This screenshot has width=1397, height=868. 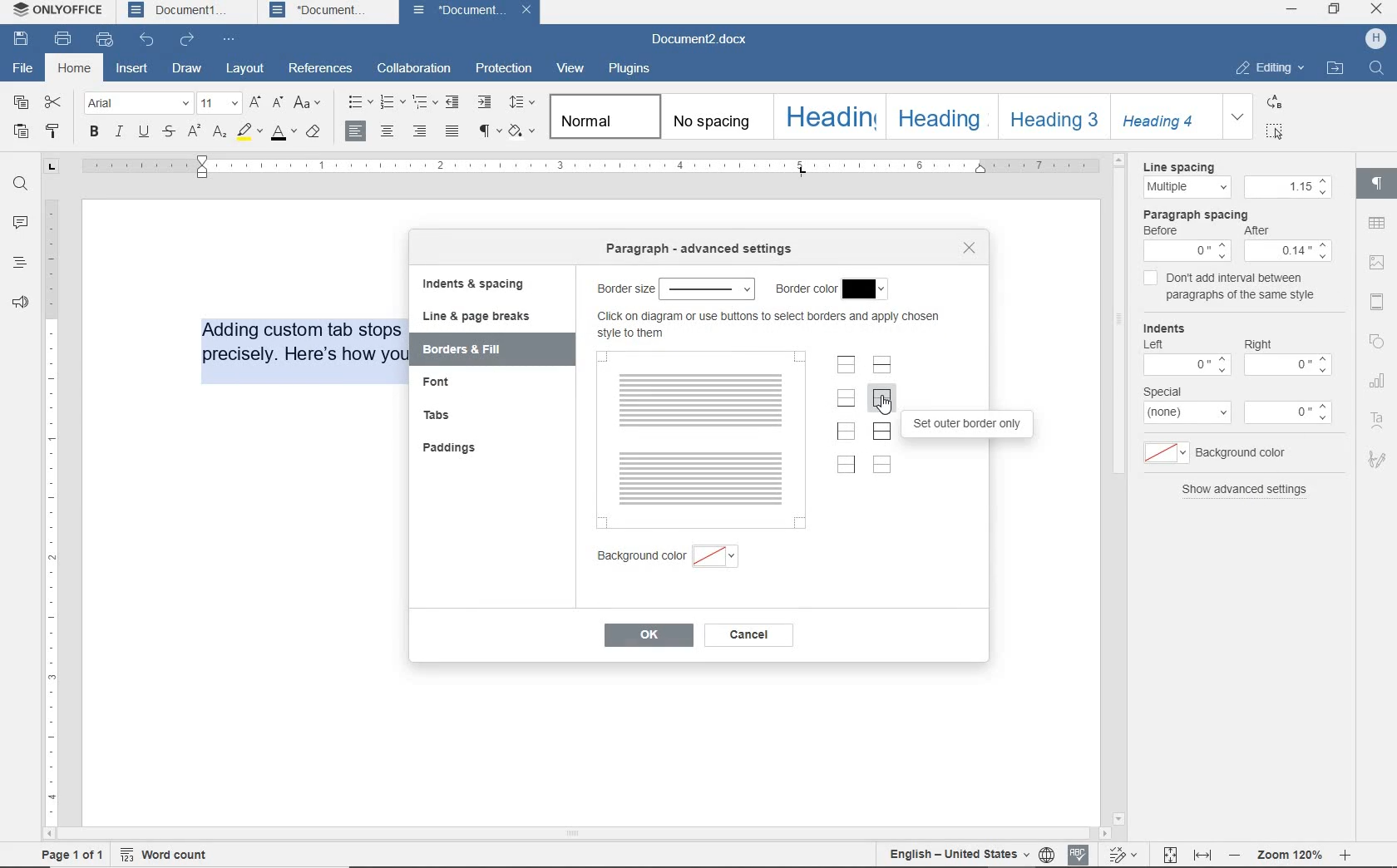 What do you see at coordinates (528, 12) in the screenshot?
I see `close` at bounding box center [528, 12].